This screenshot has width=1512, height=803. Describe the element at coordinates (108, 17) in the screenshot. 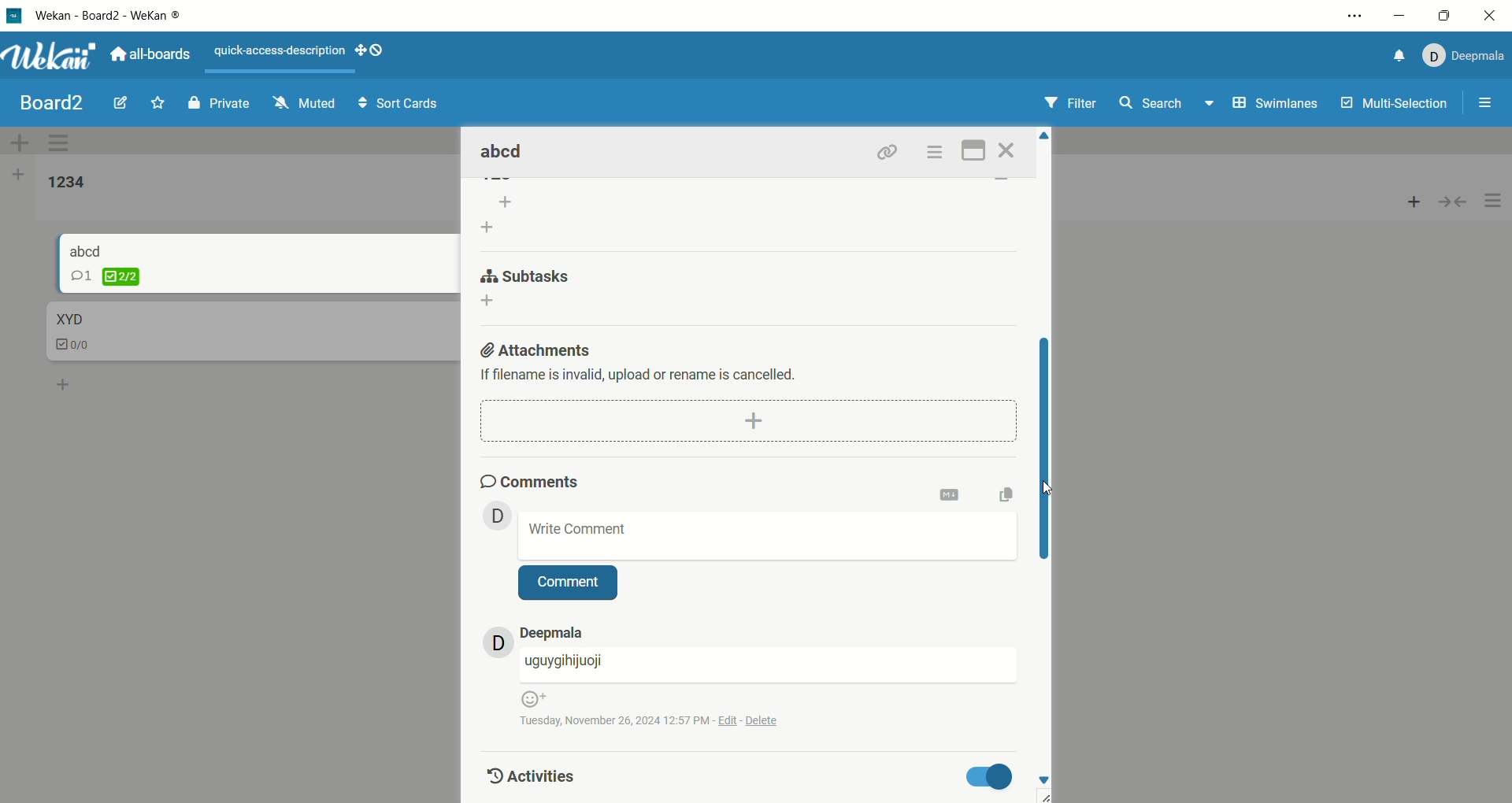

I see `wekan-wekan` at that location.